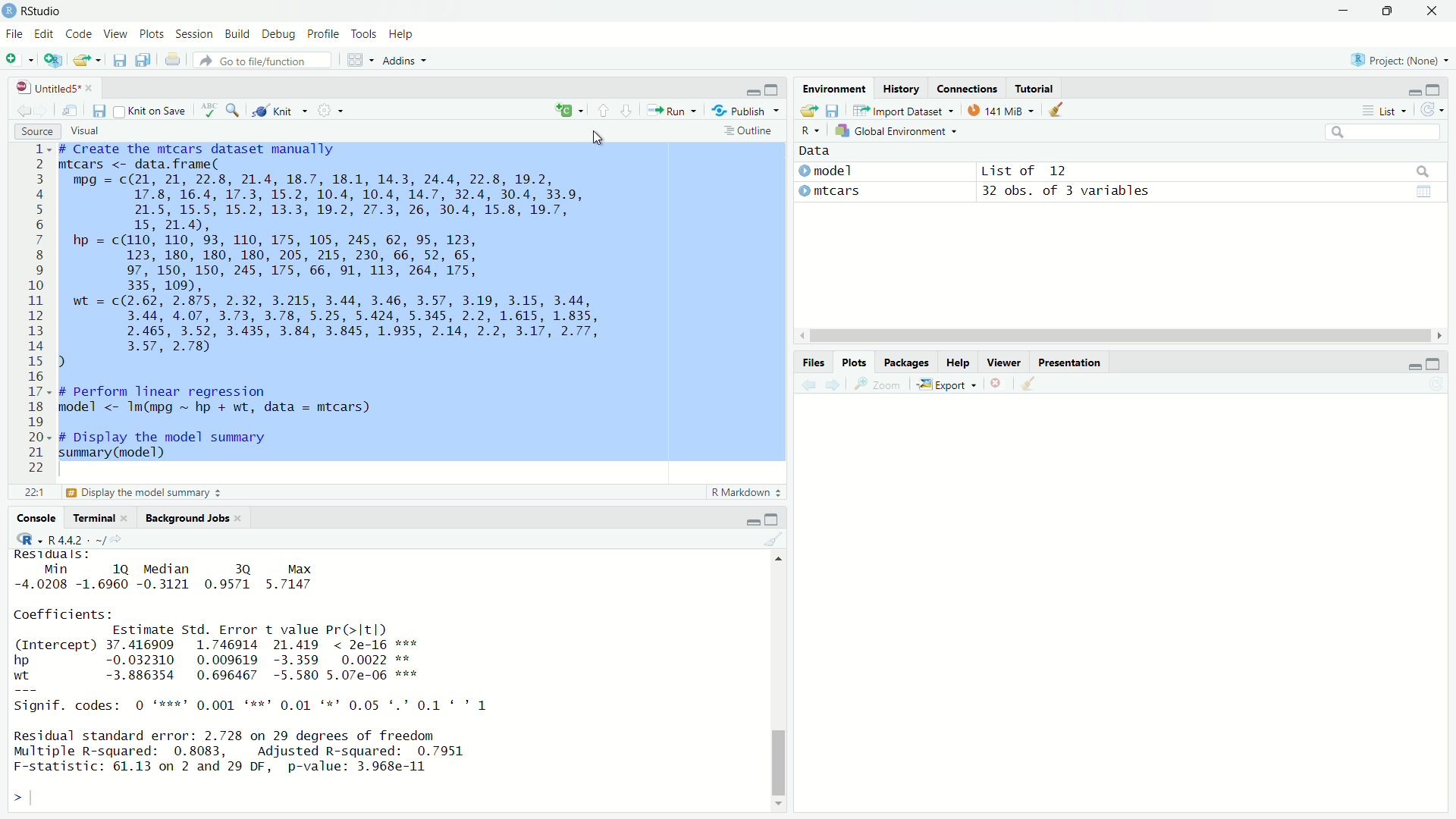  Describe the element at coordinates (895, 131) in the screenshot. I see `global environment` at that location.